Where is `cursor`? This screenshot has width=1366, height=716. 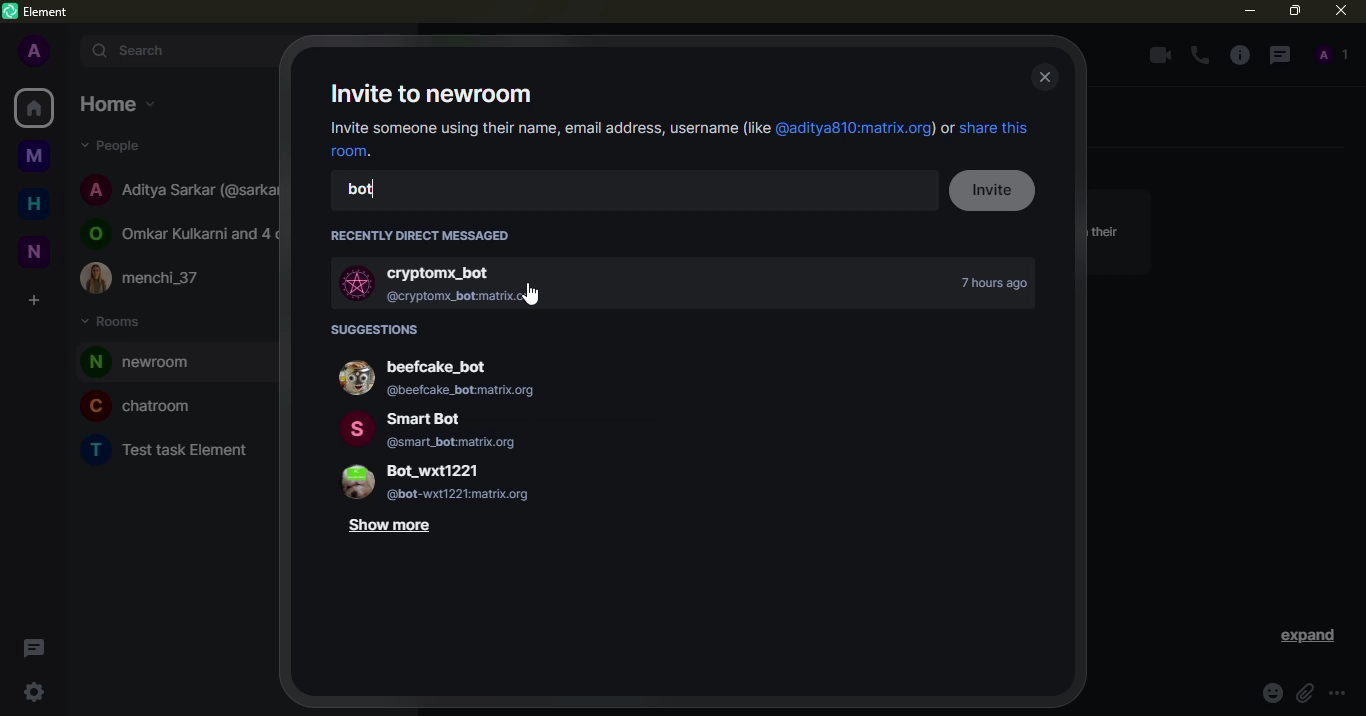
cursor is located at coordinates (529, 298).